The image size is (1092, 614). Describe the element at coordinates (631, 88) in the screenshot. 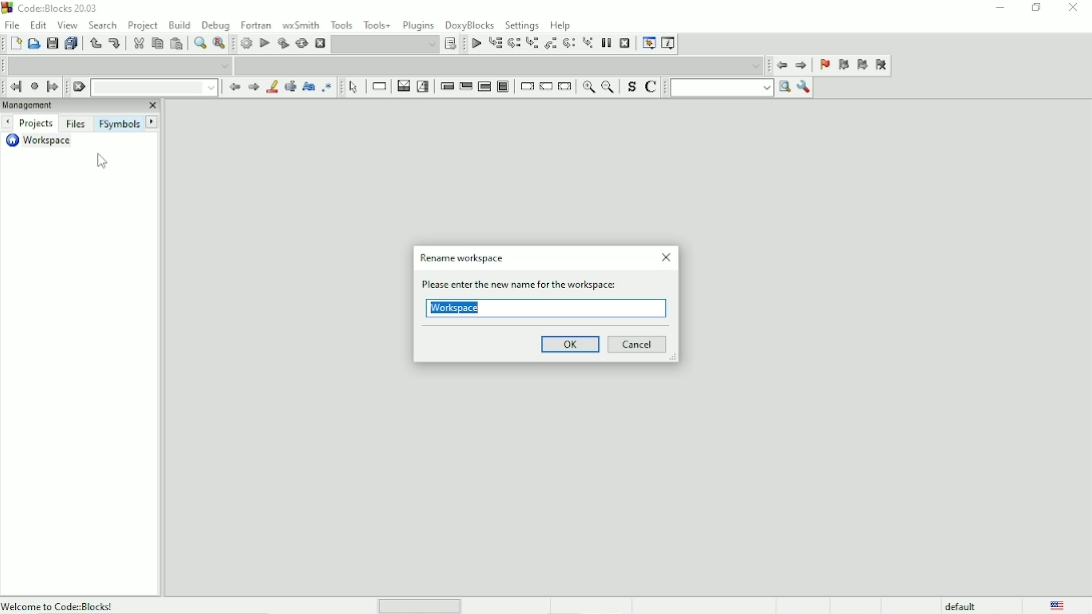

I see `Toggle source` at that location.